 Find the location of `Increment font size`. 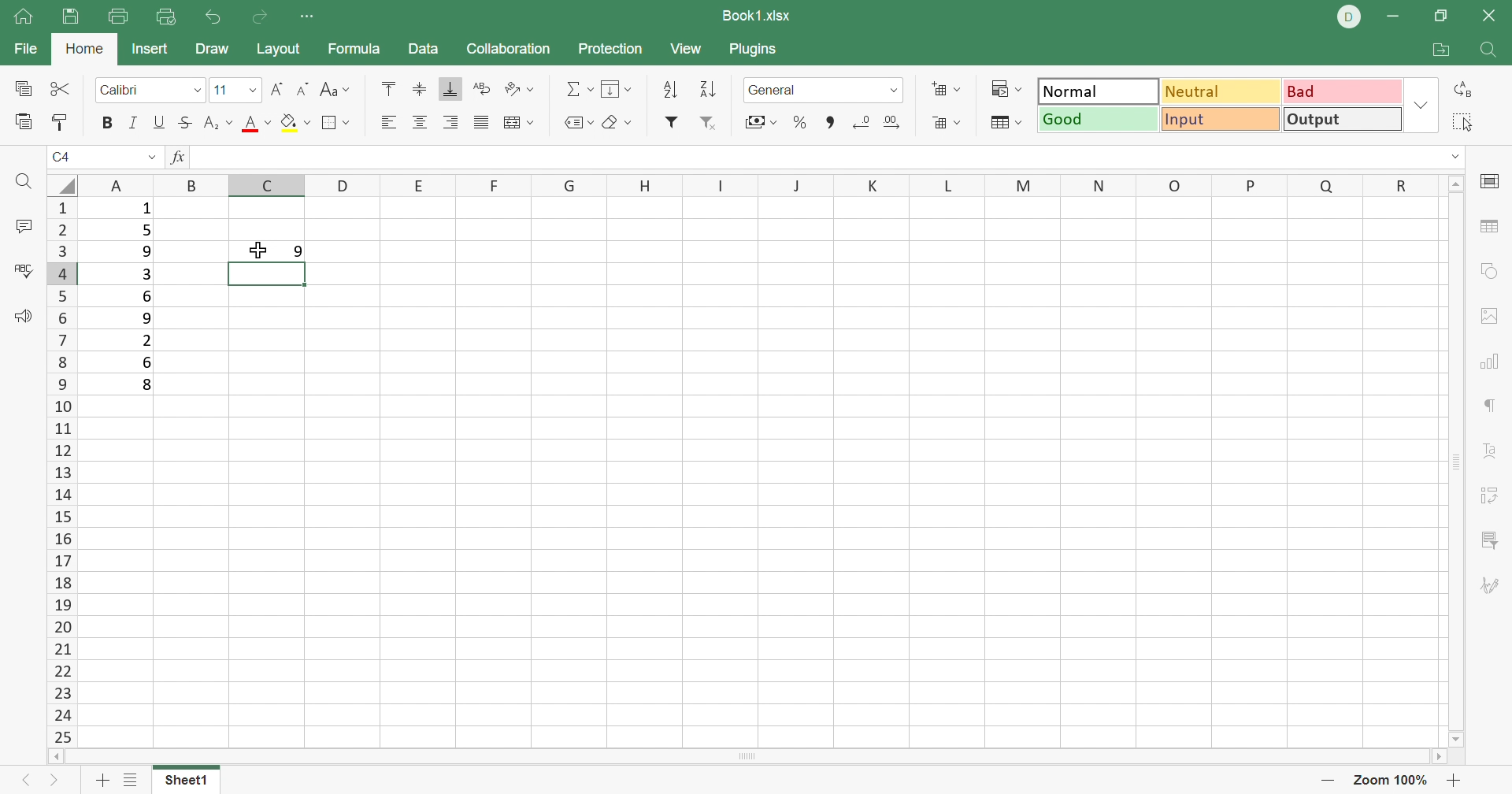

Increment font size is located at coordinates (275, 91).